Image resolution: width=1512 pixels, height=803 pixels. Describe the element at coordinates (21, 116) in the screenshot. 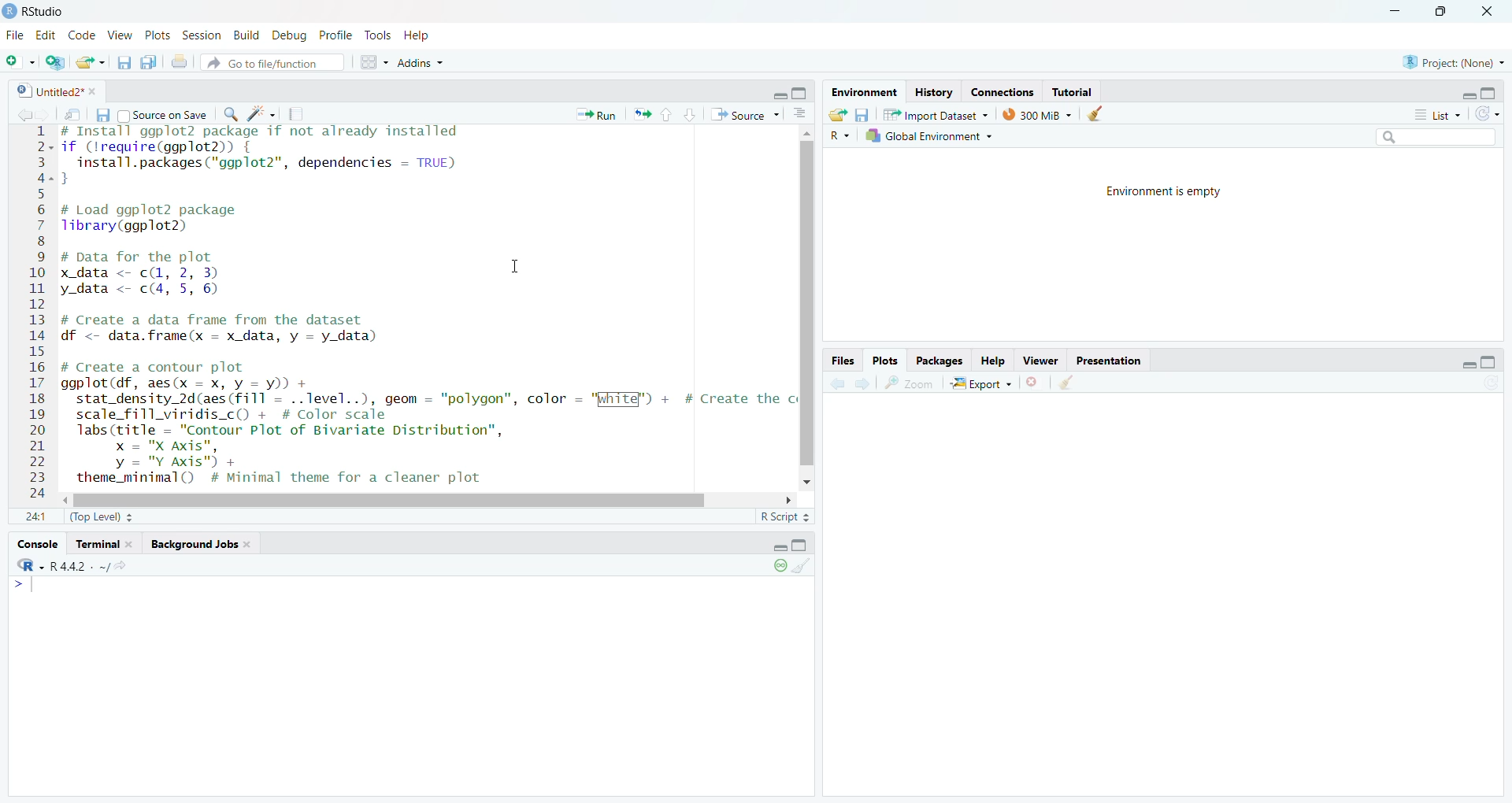

I see `go back to the previous source location` at that location.